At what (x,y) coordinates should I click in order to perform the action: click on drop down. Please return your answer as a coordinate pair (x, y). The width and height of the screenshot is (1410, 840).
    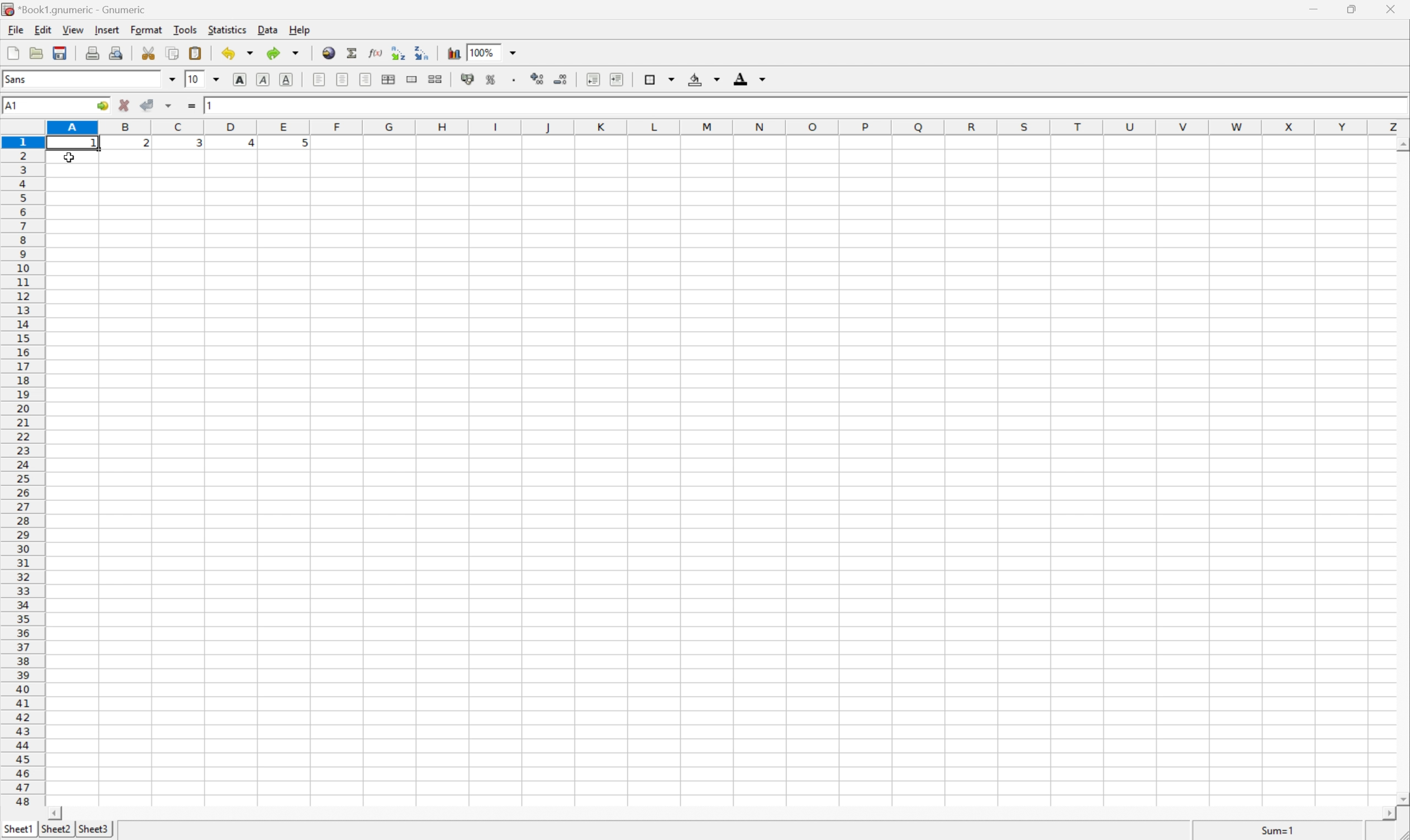
    Looking at the image, I should click on (172, 81).